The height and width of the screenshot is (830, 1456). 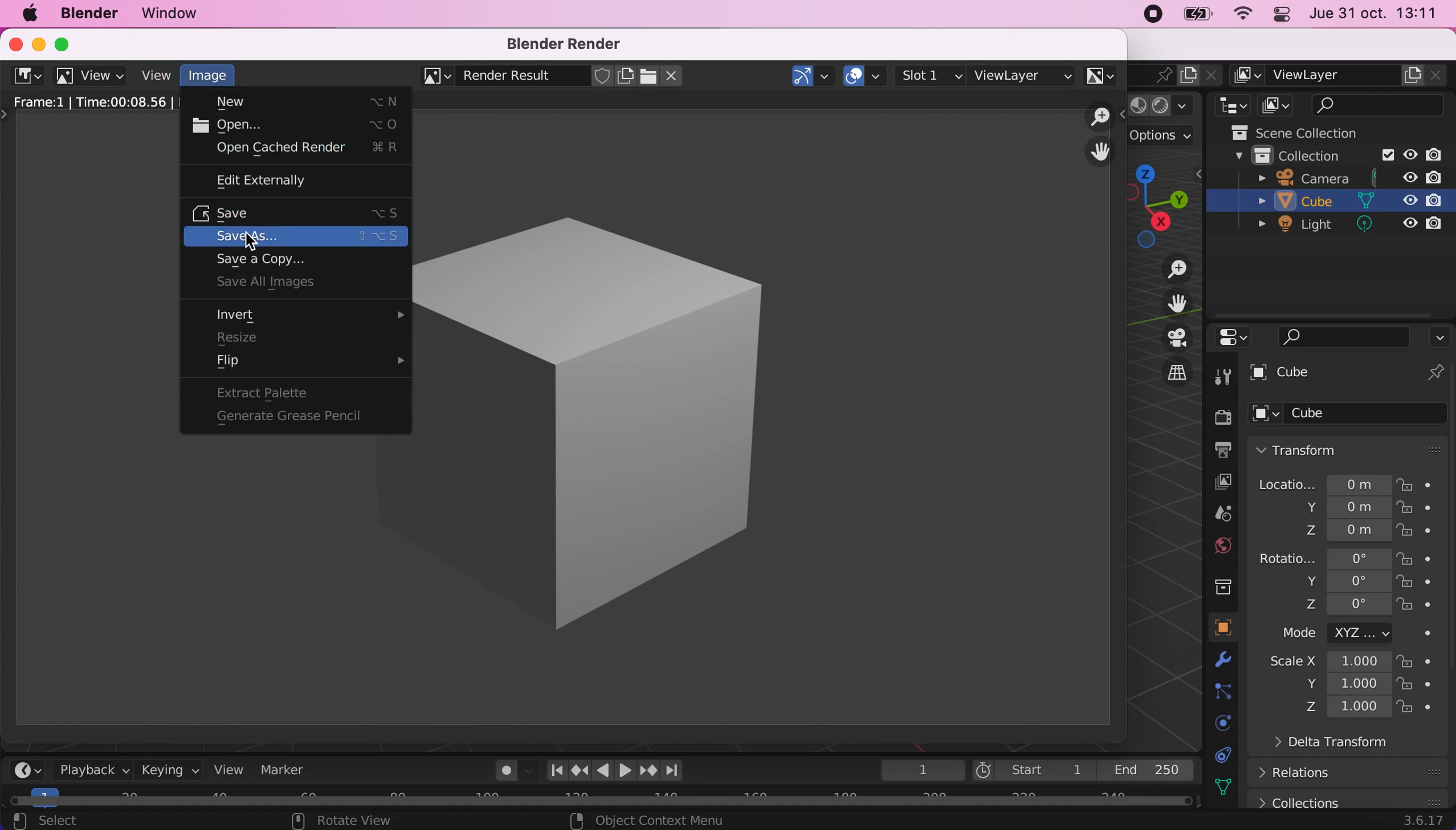 I want to click on 1, so click(x=916, y=770).